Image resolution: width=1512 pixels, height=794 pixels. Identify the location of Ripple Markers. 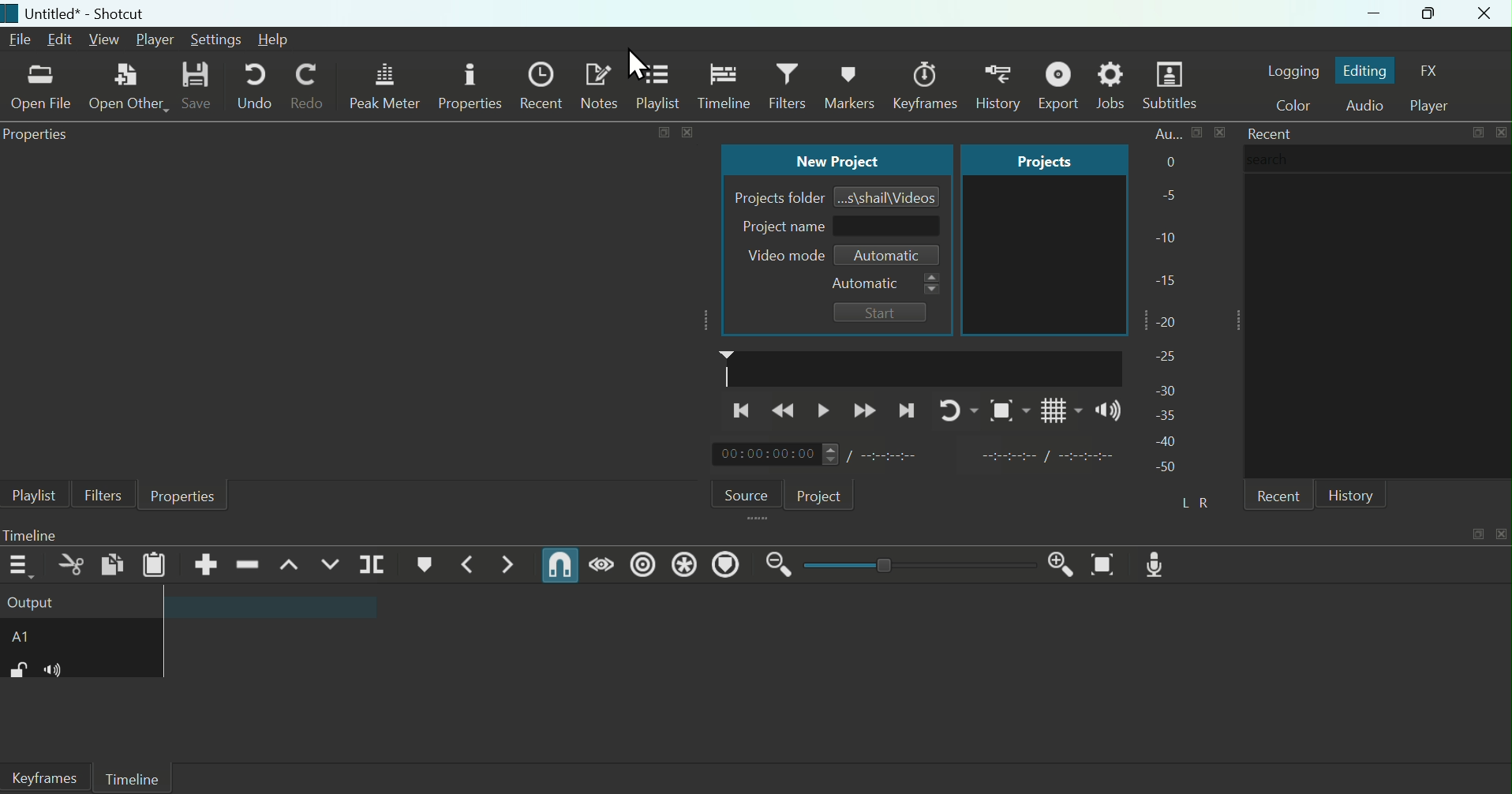
(728, 566).